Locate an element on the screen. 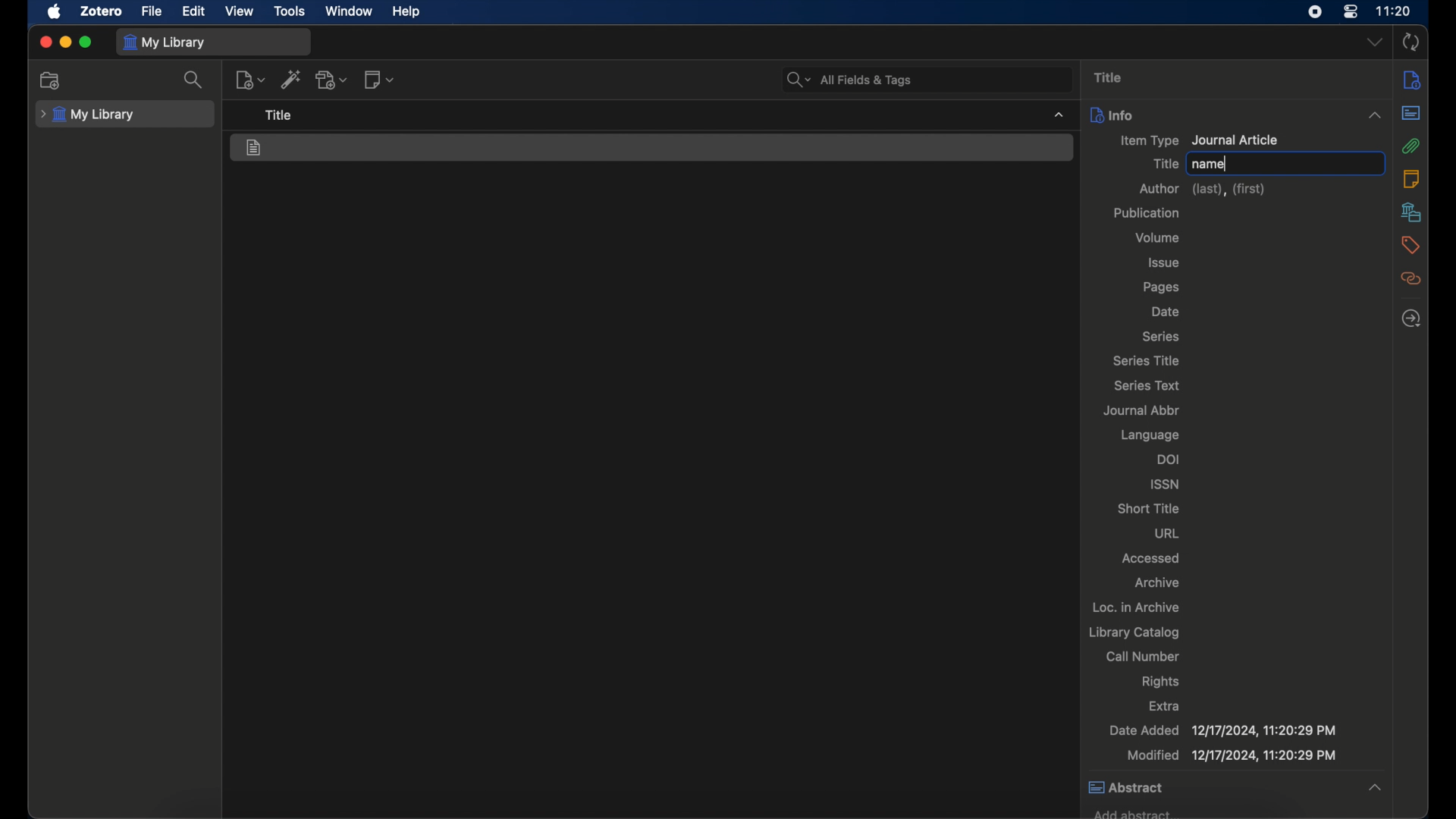 This screenshot has height=819, width=1456. new item is located at coordinates (249, 80).